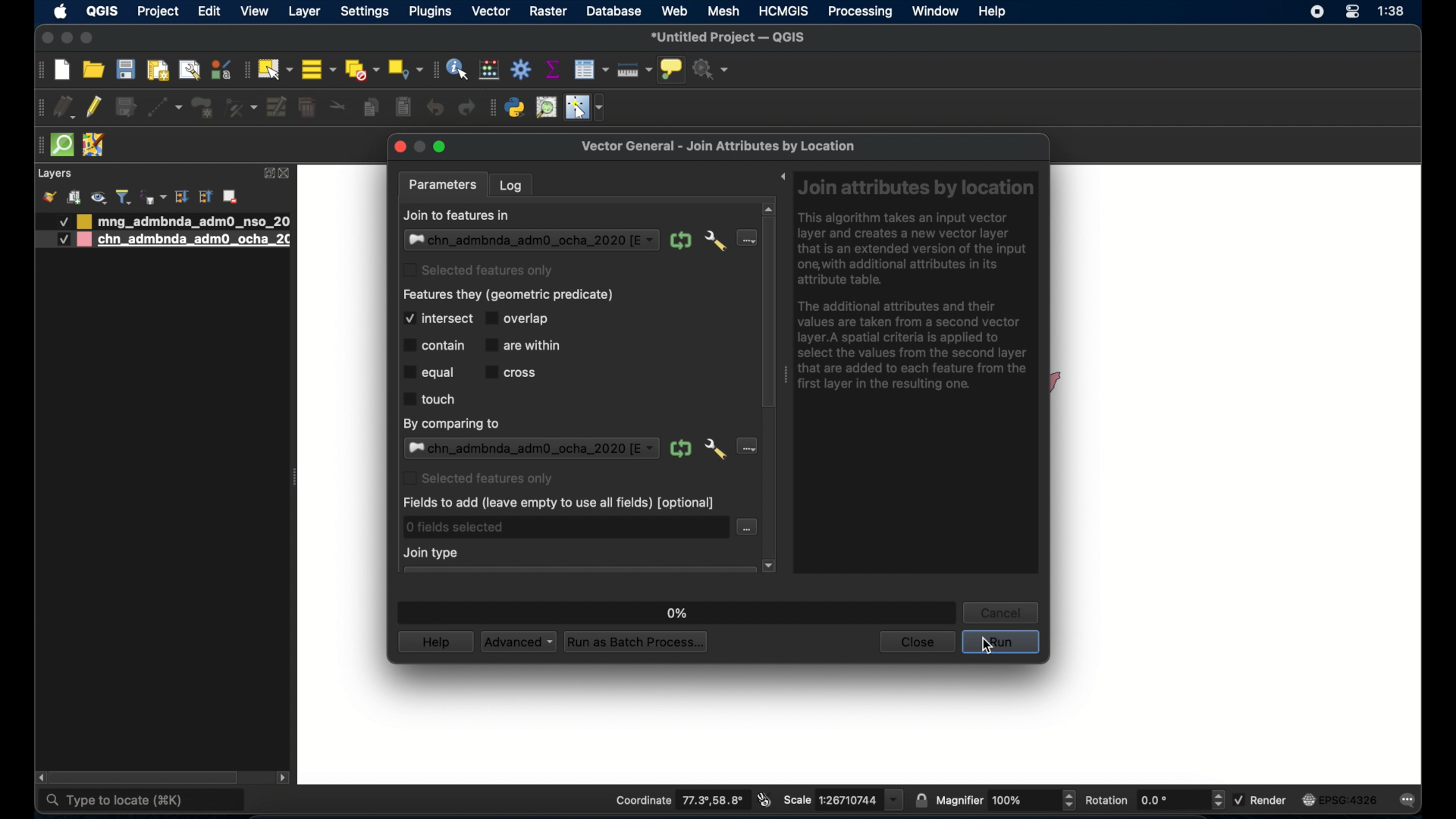 The height and width of the screenshot is (819, 1456). What do you see at coordinates (522, 318) in the screenshot?
I see `overlap checkbox` at bounding box center [522, 318].